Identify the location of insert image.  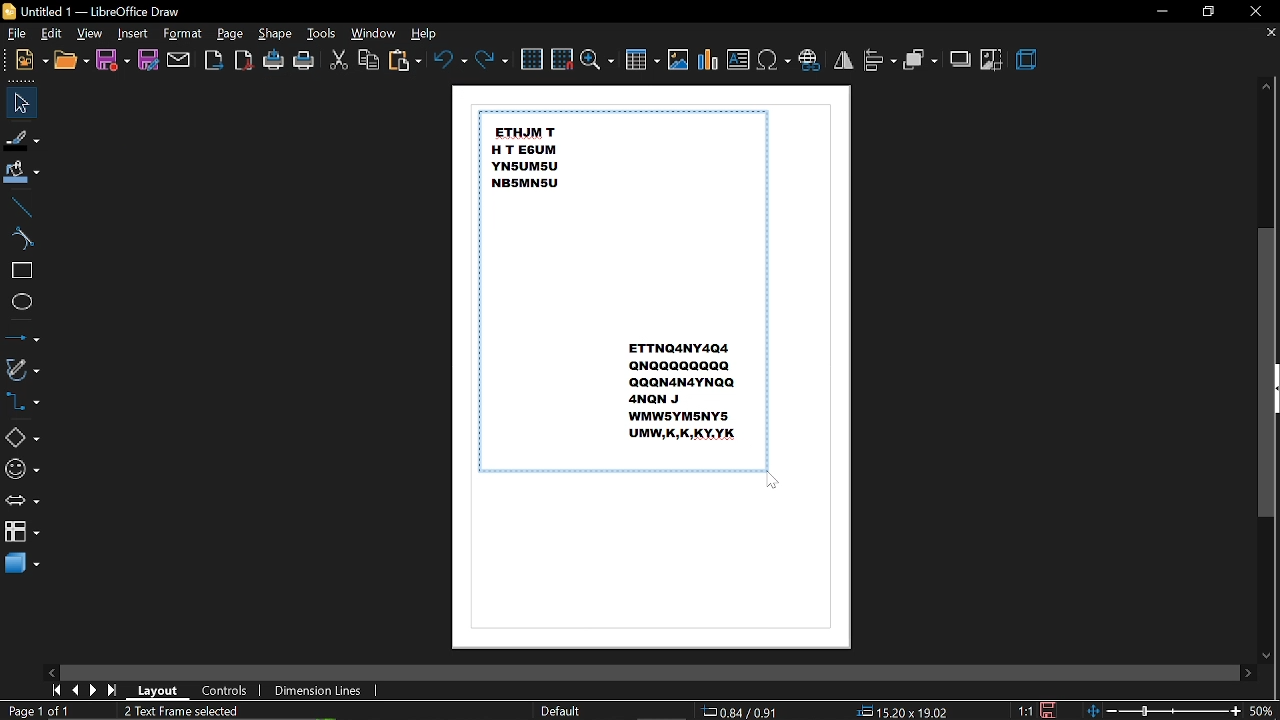
(678, 60).